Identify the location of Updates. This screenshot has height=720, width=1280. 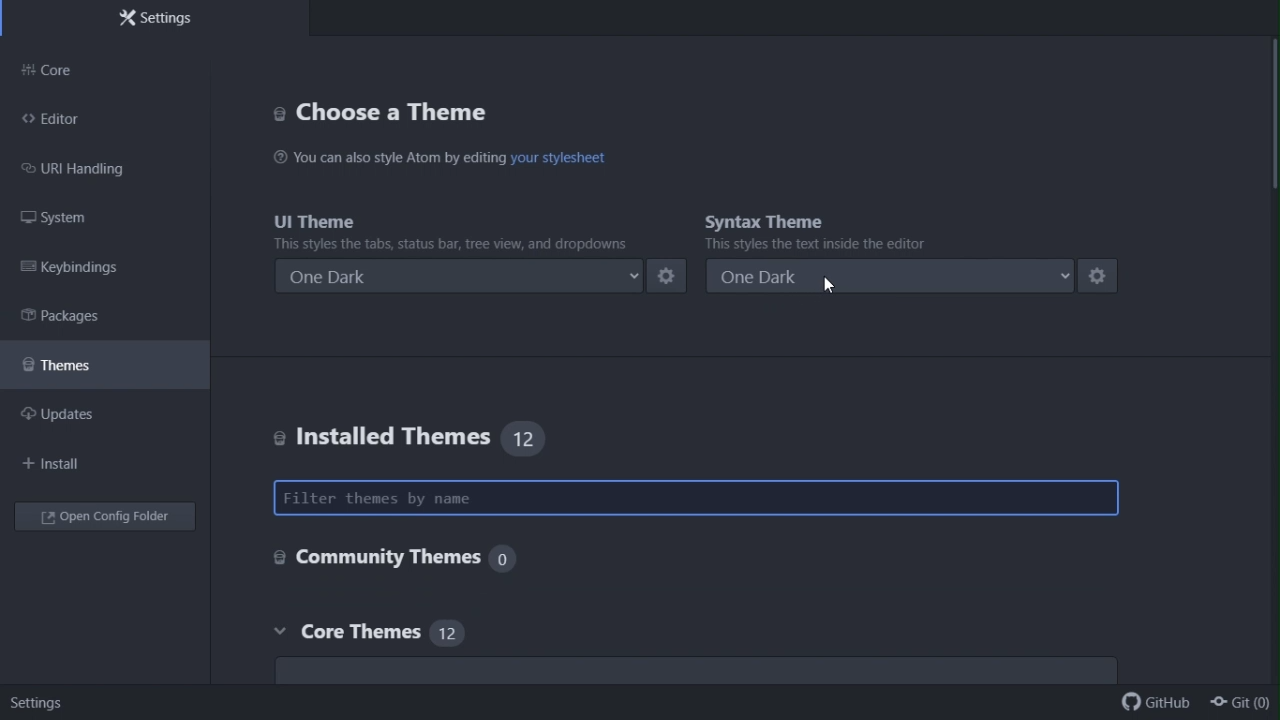
(71, 414).